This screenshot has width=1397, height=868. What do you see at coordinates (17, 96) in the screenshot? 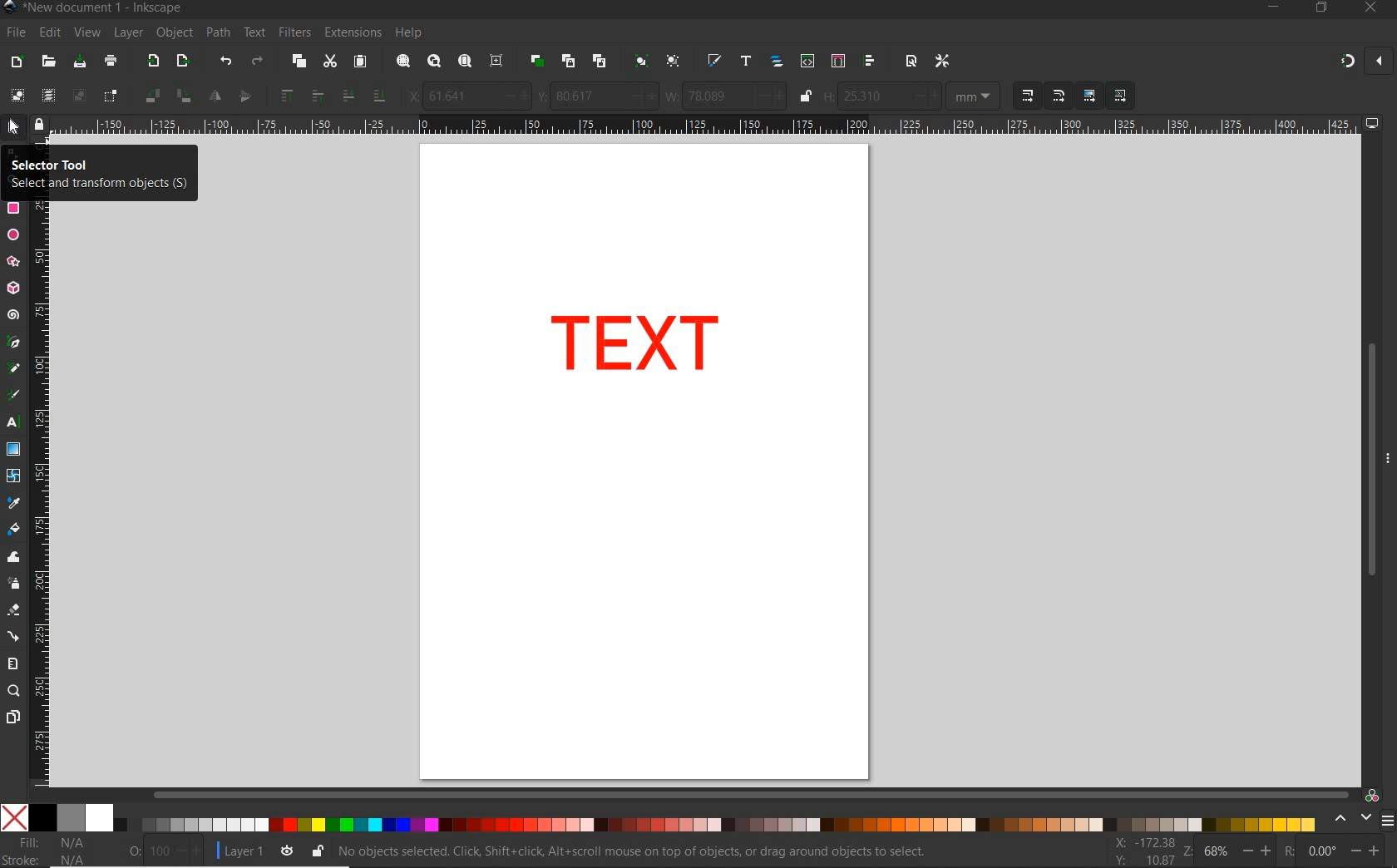
I see `select all` at bounding box center [17, 96].